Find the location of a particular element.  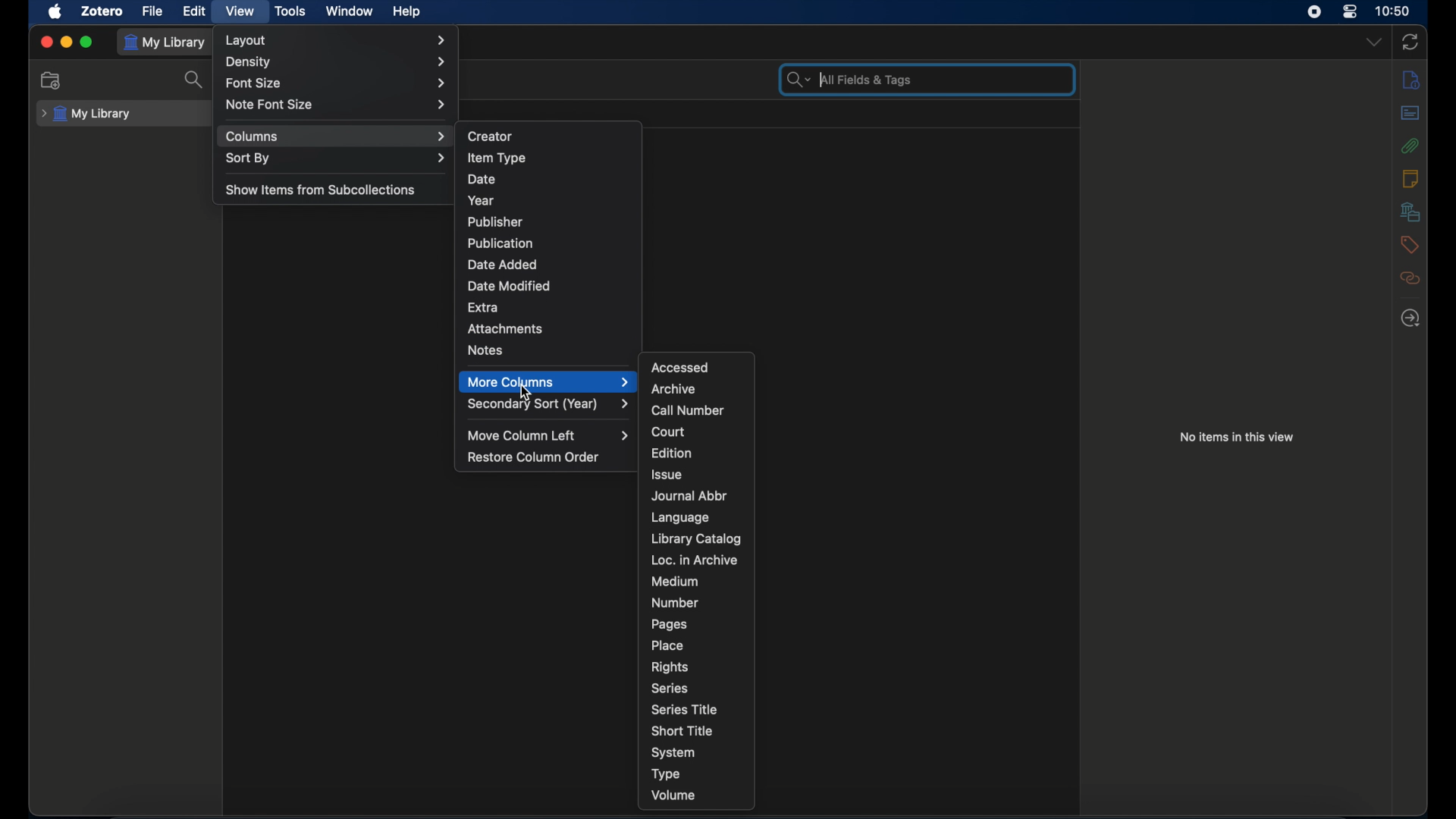

search bar is located at coordinates (847, 79).